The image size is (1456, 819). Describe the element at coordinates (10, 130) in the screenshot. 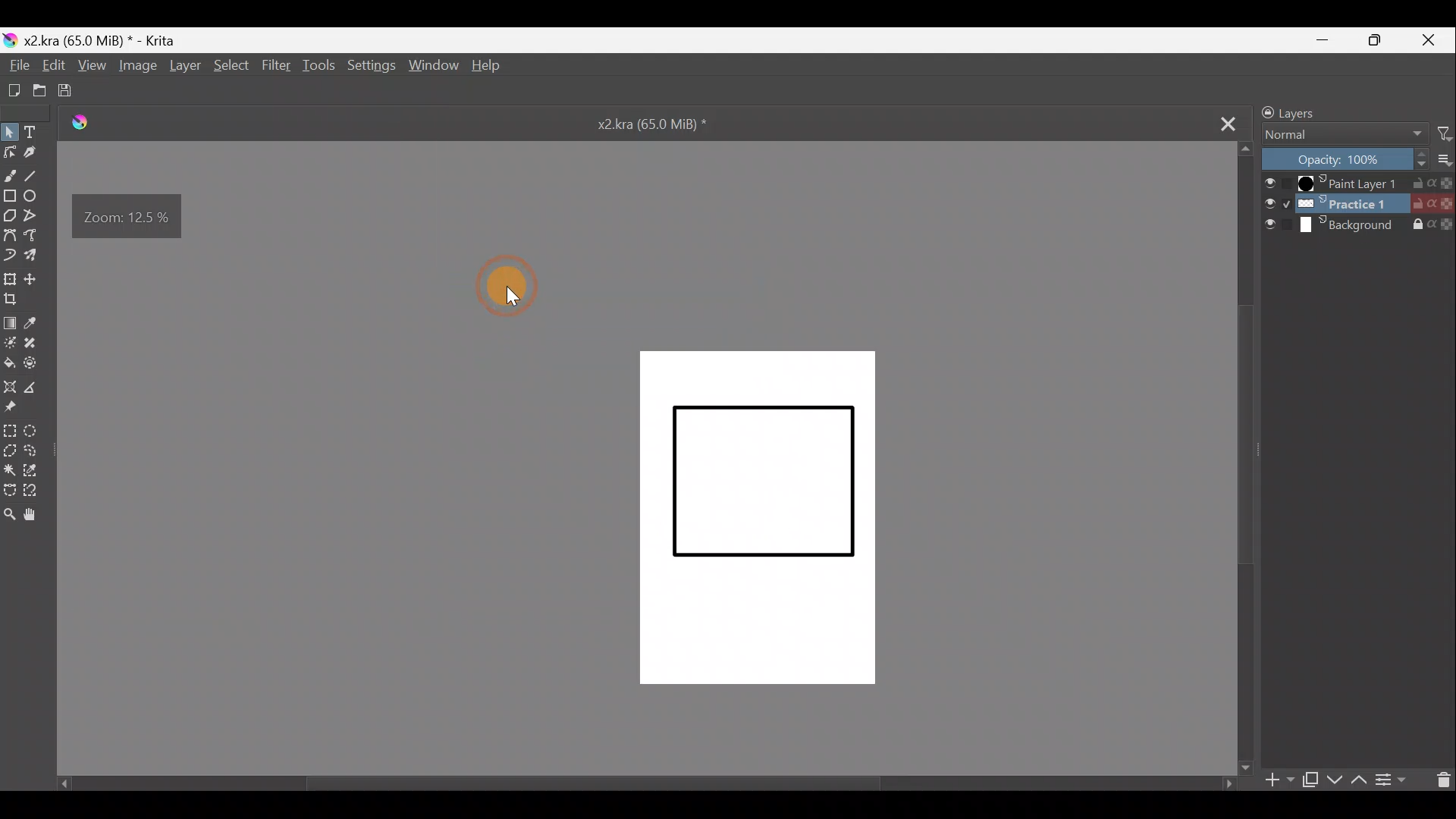

I see `Select shapes tool` at that location.